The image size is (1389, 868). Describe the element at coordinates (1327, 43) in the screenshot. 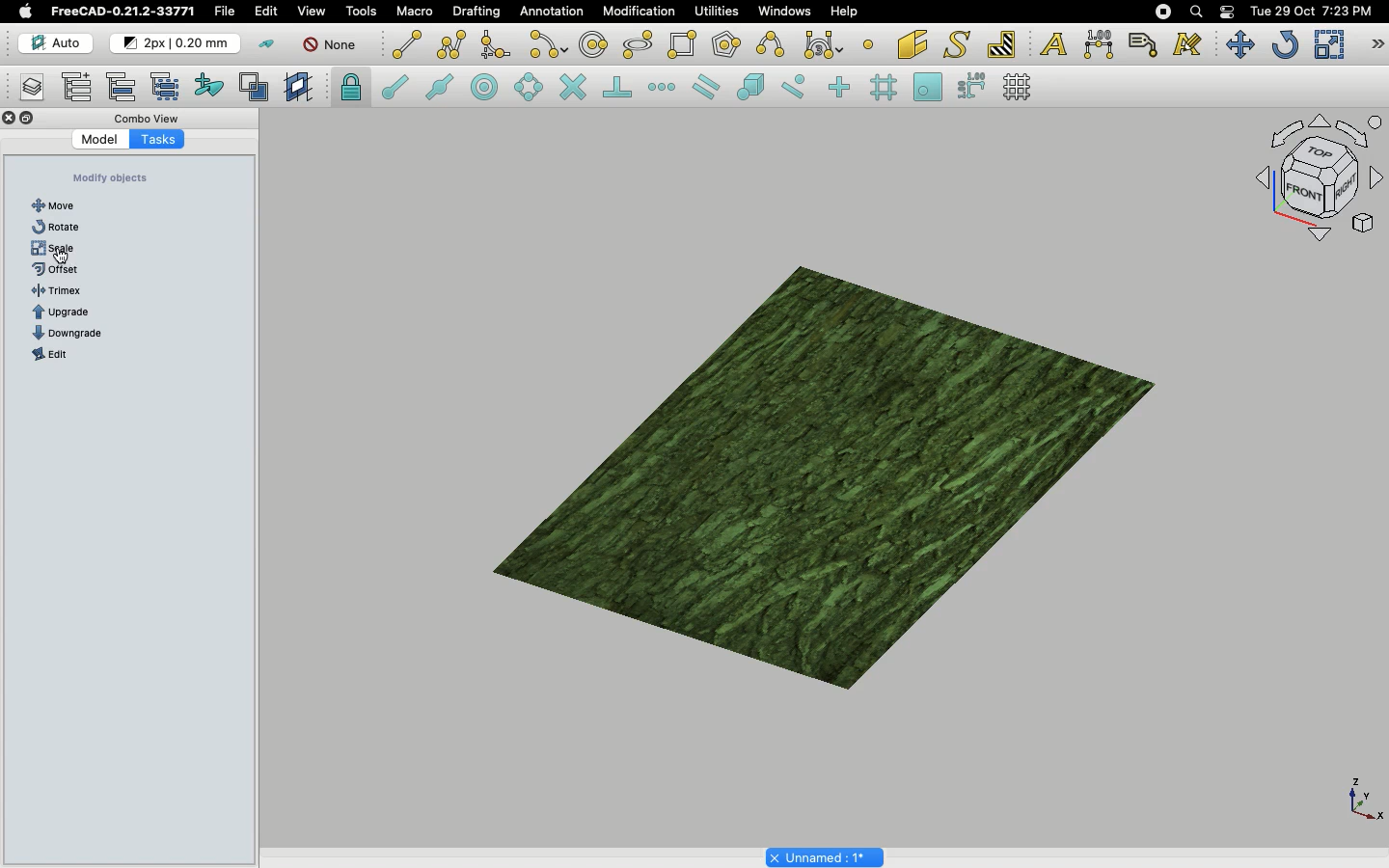

I see `Scale` at that location.